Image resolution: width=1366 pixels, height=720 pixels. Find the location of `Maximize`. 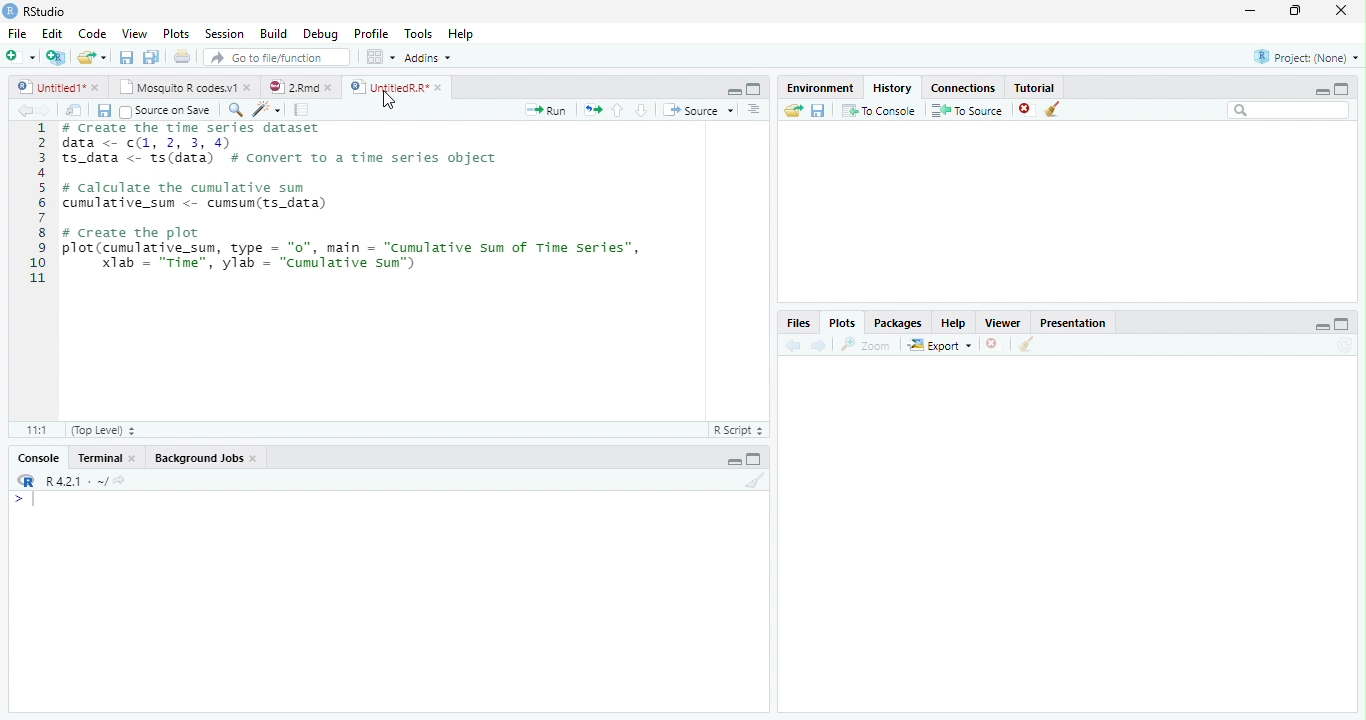

Maximize is located at coordinates (756, 460).